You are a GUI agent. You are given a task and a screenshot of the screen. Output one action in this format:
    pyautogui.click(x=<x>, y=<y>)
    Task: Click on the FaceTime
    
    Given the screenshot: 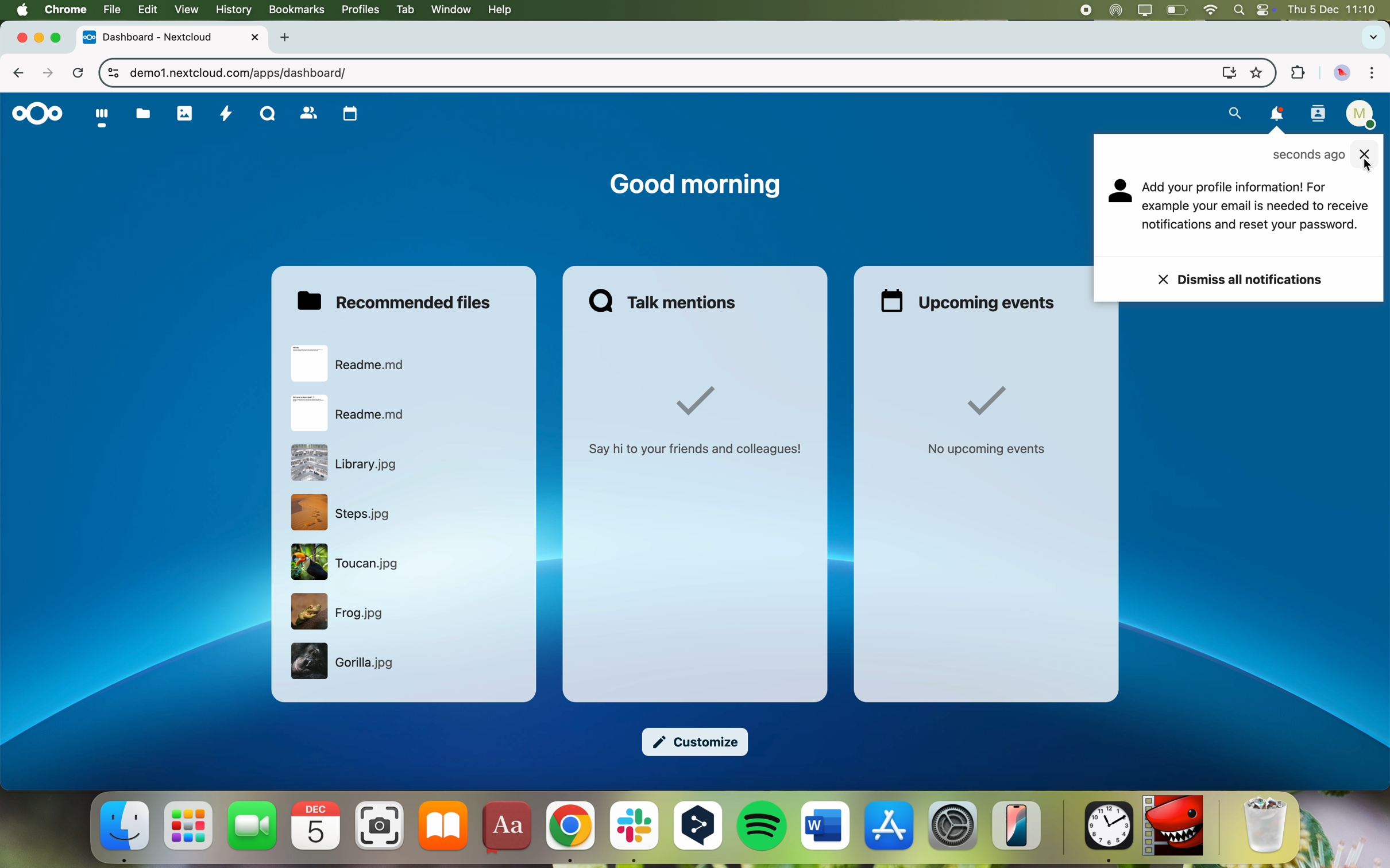 What is the action you would take?
    pyautogui.click(x=253, y=826)
    